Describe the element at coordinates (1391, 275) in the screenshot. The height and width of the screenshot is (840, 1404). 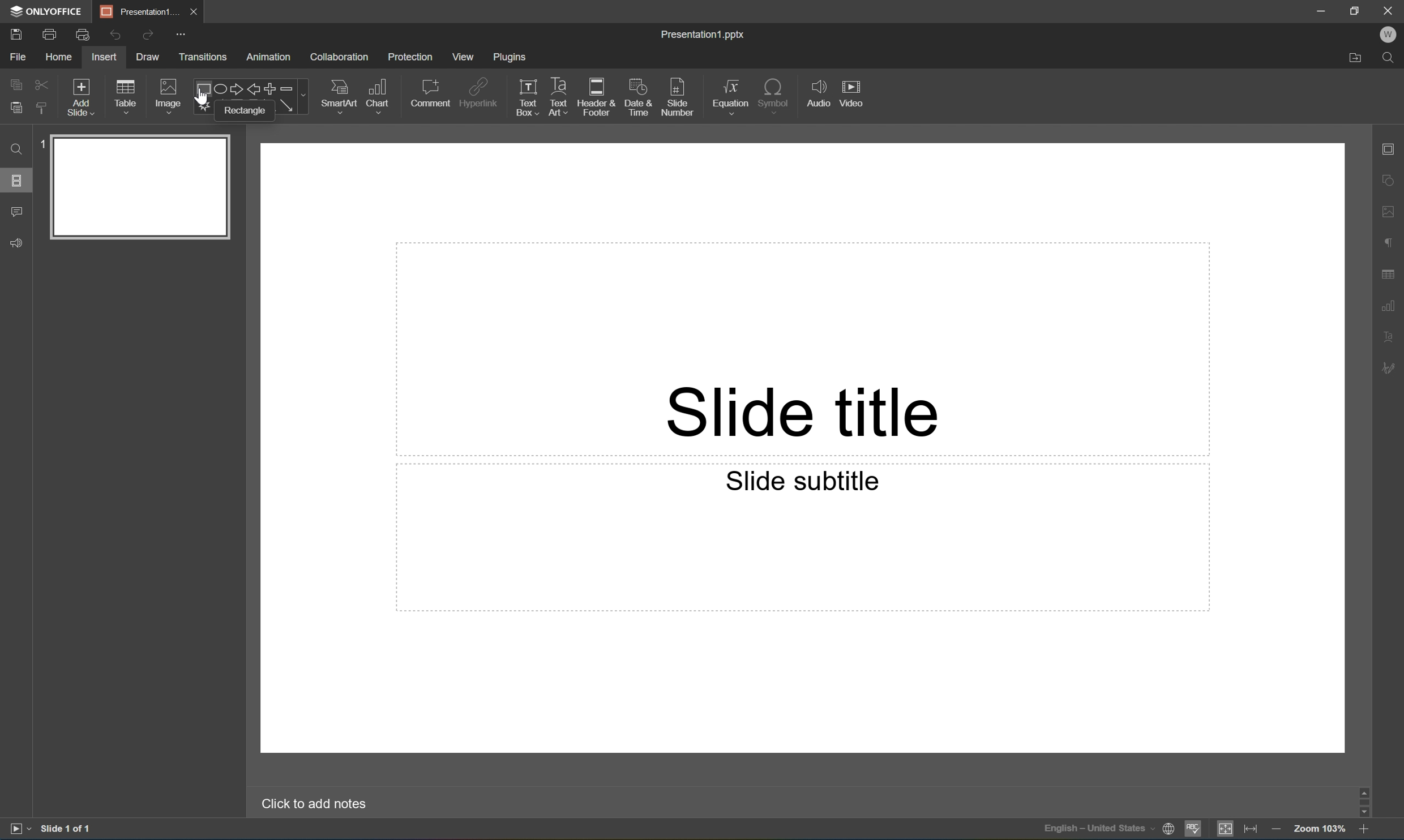
I see `Table settings` at that location.